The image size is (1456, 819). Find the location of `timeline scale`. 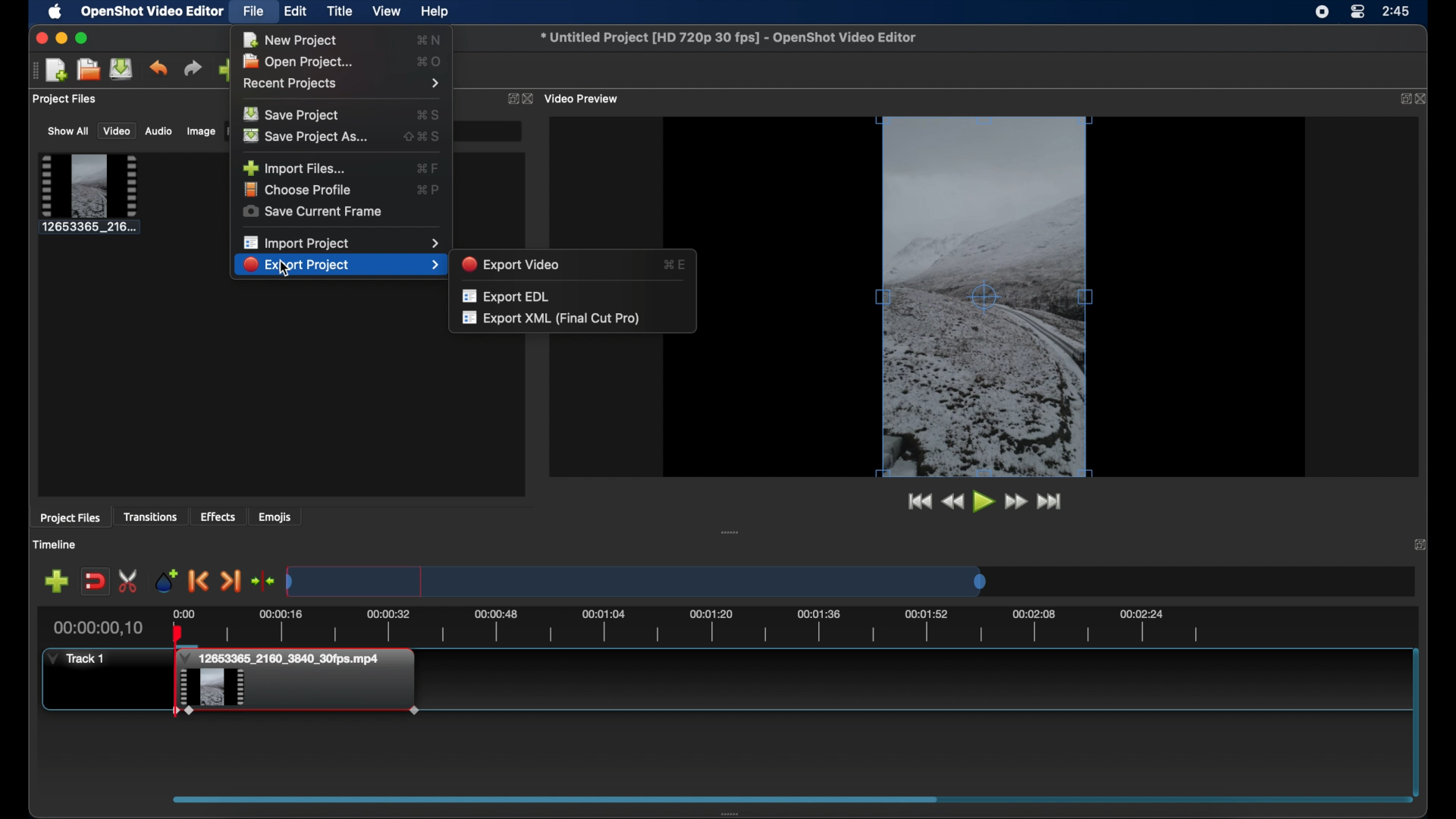

timeline scale is located at coordinates (635, 580).